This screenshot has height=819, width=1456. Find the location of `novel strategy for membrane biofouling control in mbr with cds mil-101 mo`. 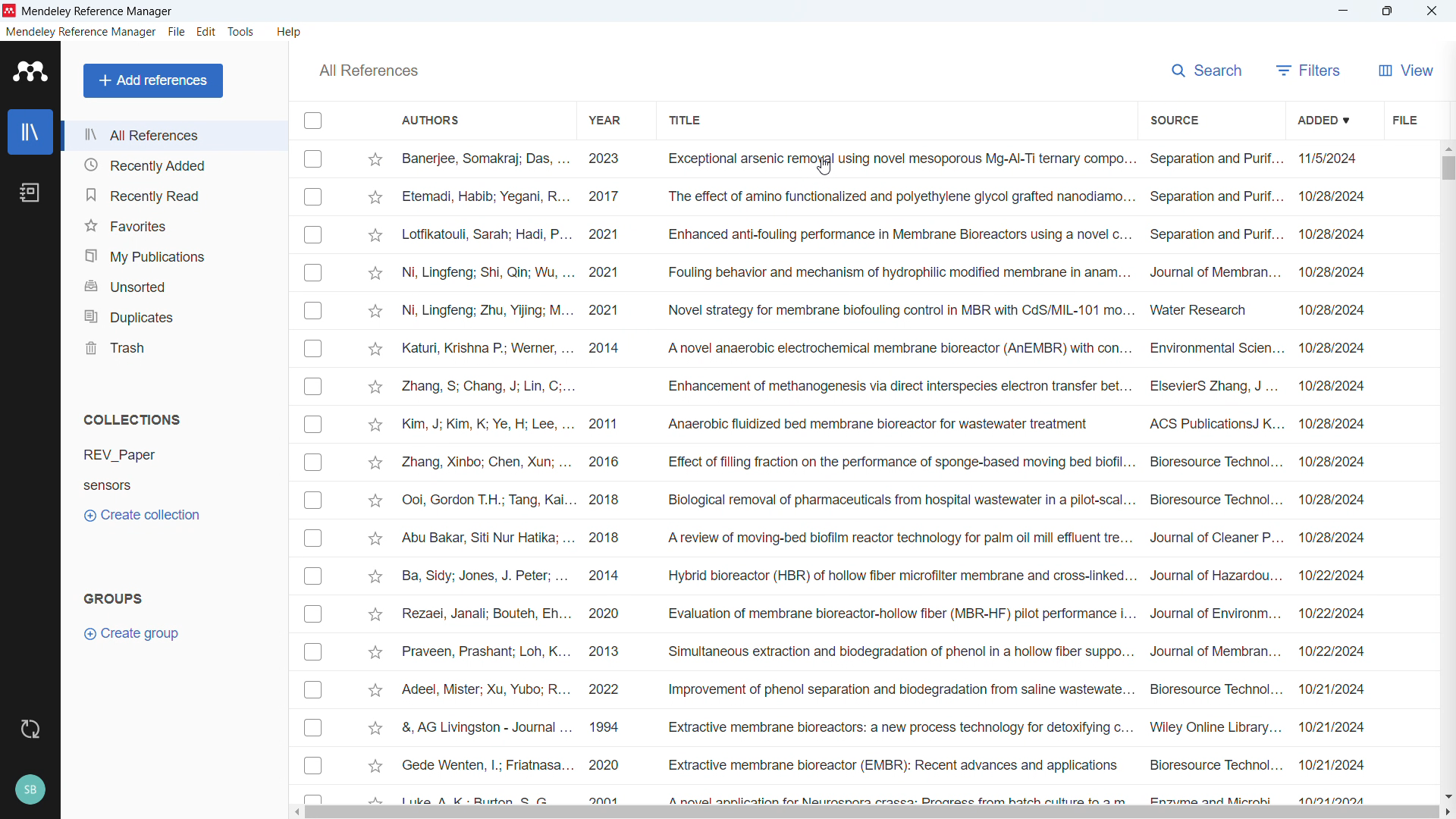

novel strategy for membrane biofouling control in mbr with cds mil-101 mo is located at coordinates (897, 310).